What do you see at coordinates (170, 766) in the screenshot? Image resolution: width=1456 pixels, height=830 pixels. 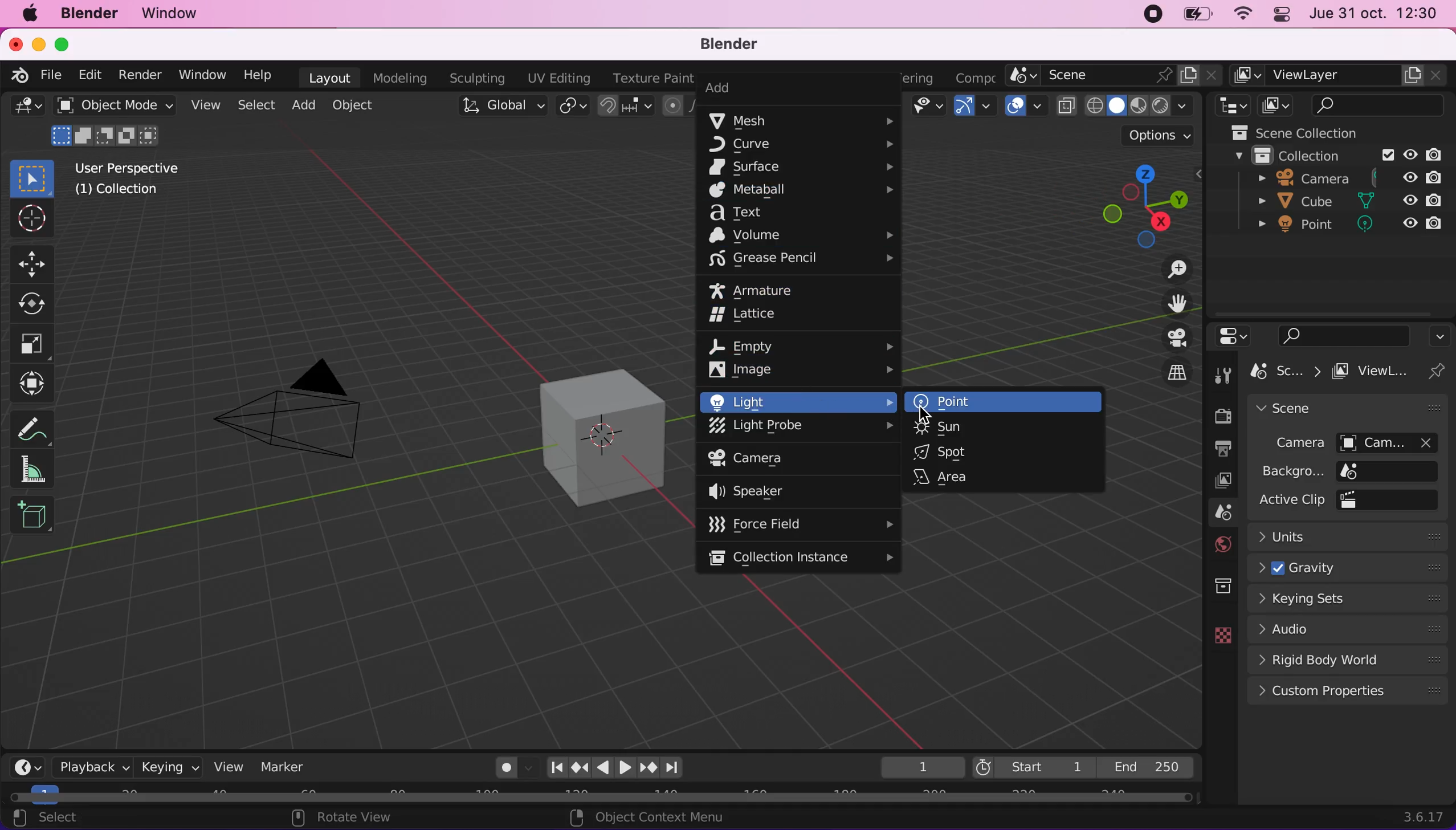 I see `keying` at bounding box center [170, 766].